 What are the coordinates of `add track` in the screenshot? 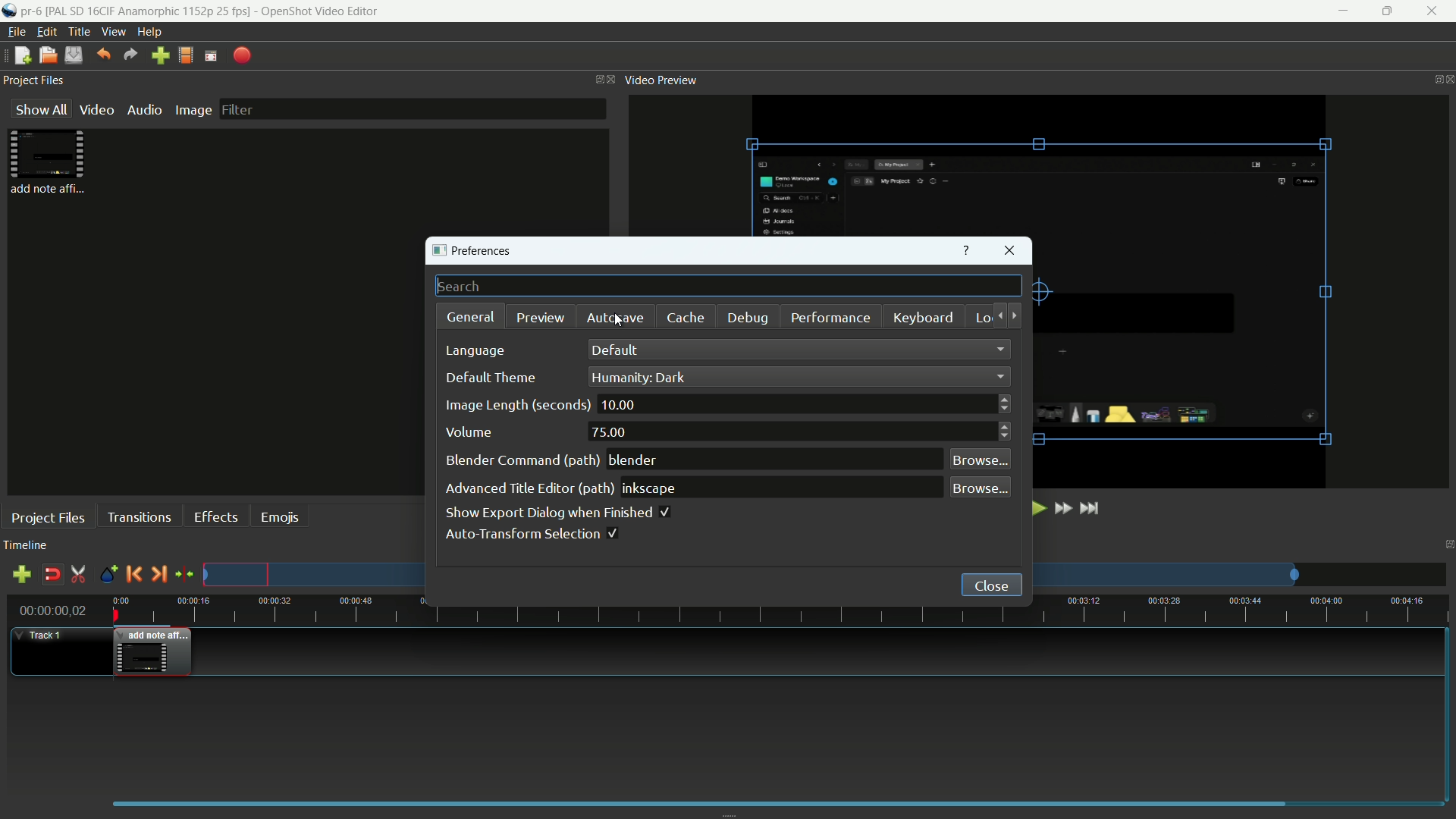 It's located at (20, 575).